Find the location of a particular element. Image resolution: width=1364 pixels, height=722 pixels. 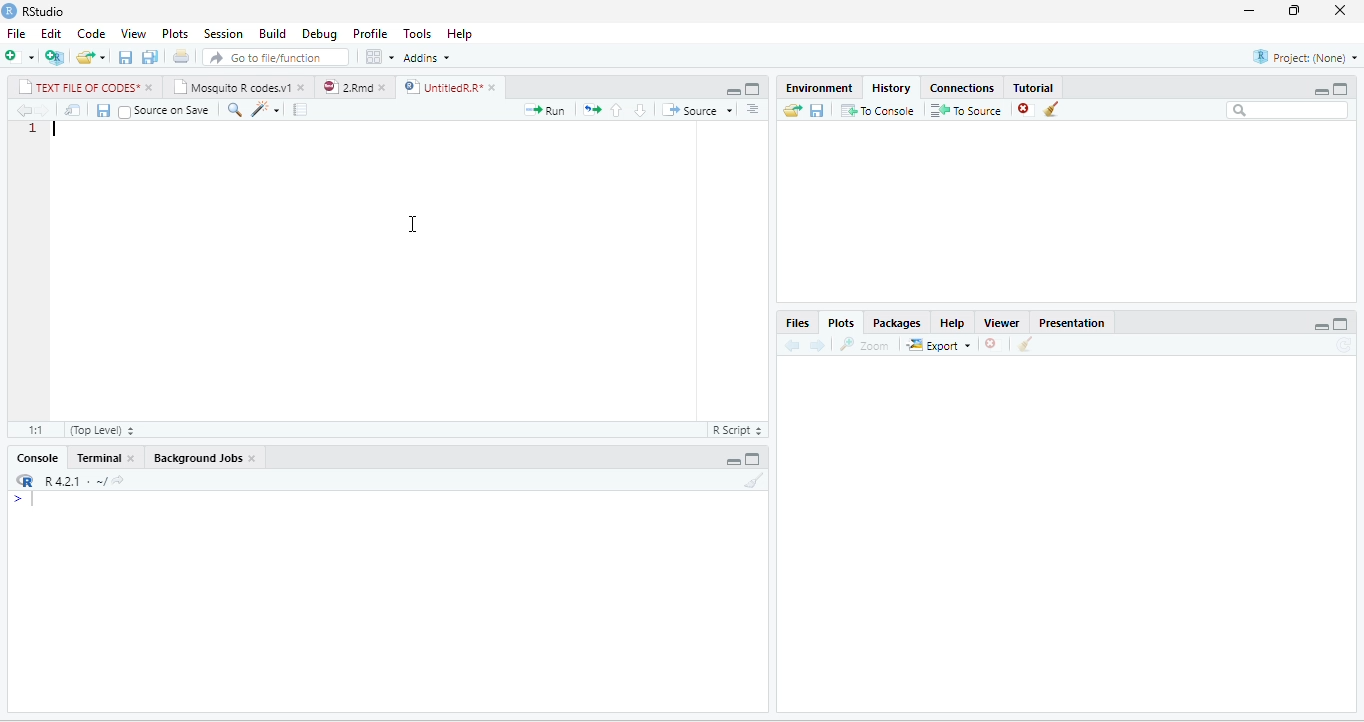

close is located at coordinates (151, 87).